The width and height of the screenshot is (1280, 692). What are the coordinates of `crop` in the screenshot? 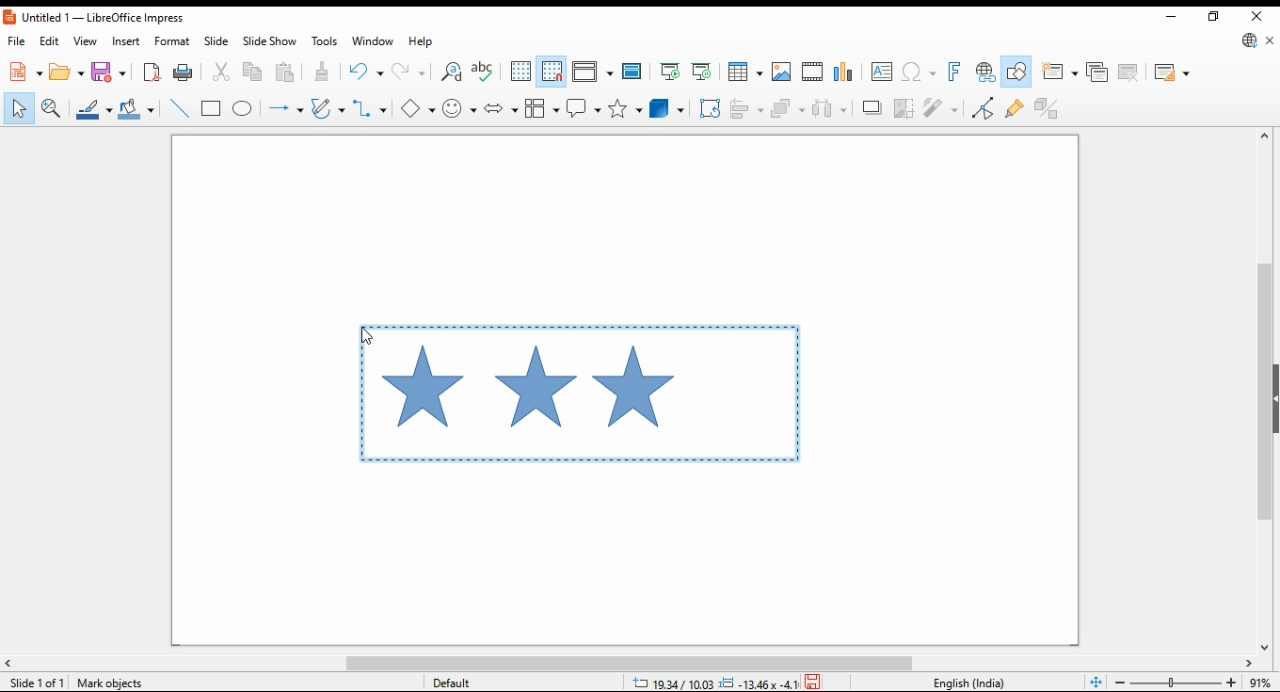 It's located at (903, 108).